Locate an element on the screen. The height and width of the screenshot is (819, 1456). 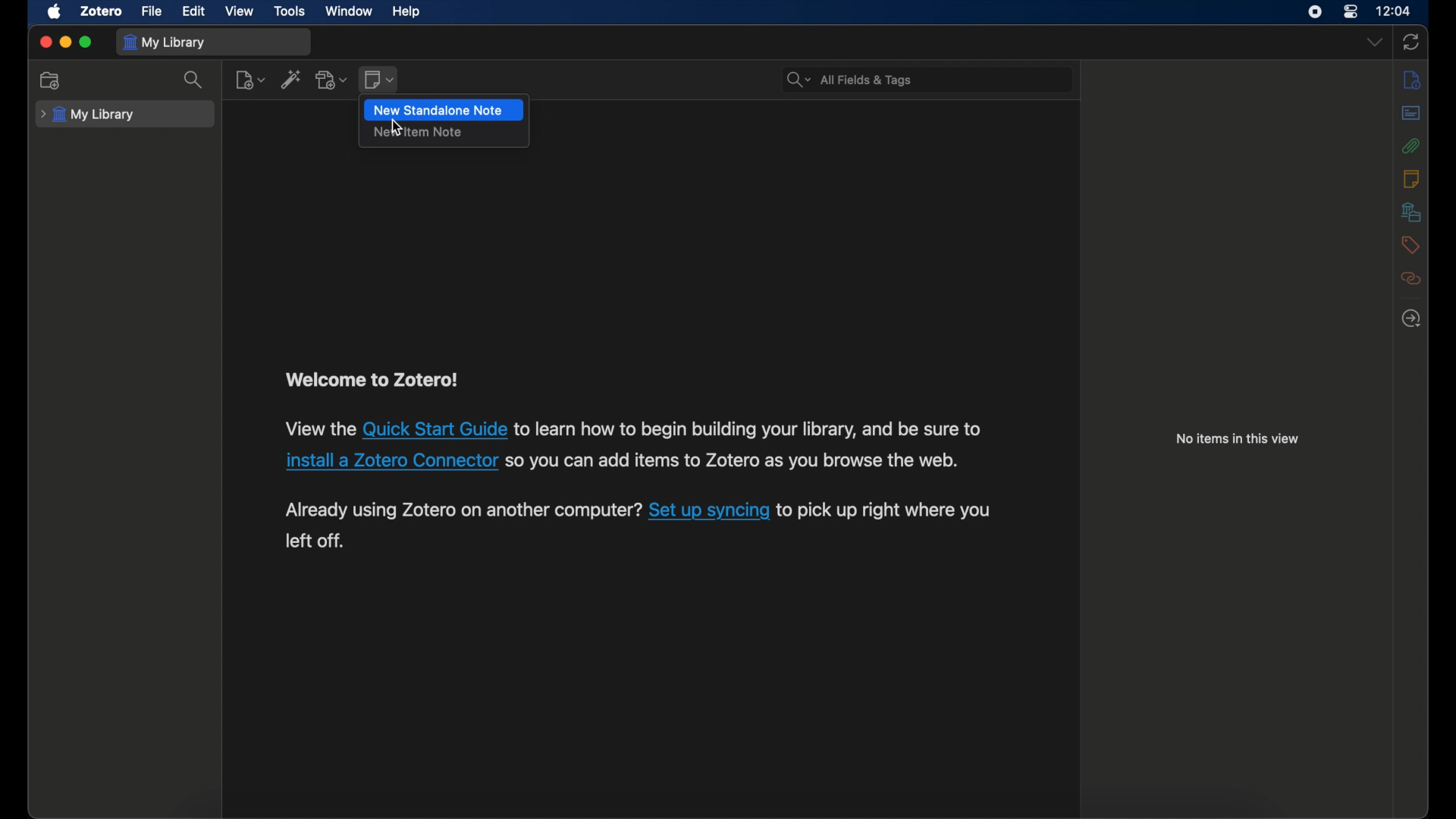
add collections is located at coordinates (50, 81).